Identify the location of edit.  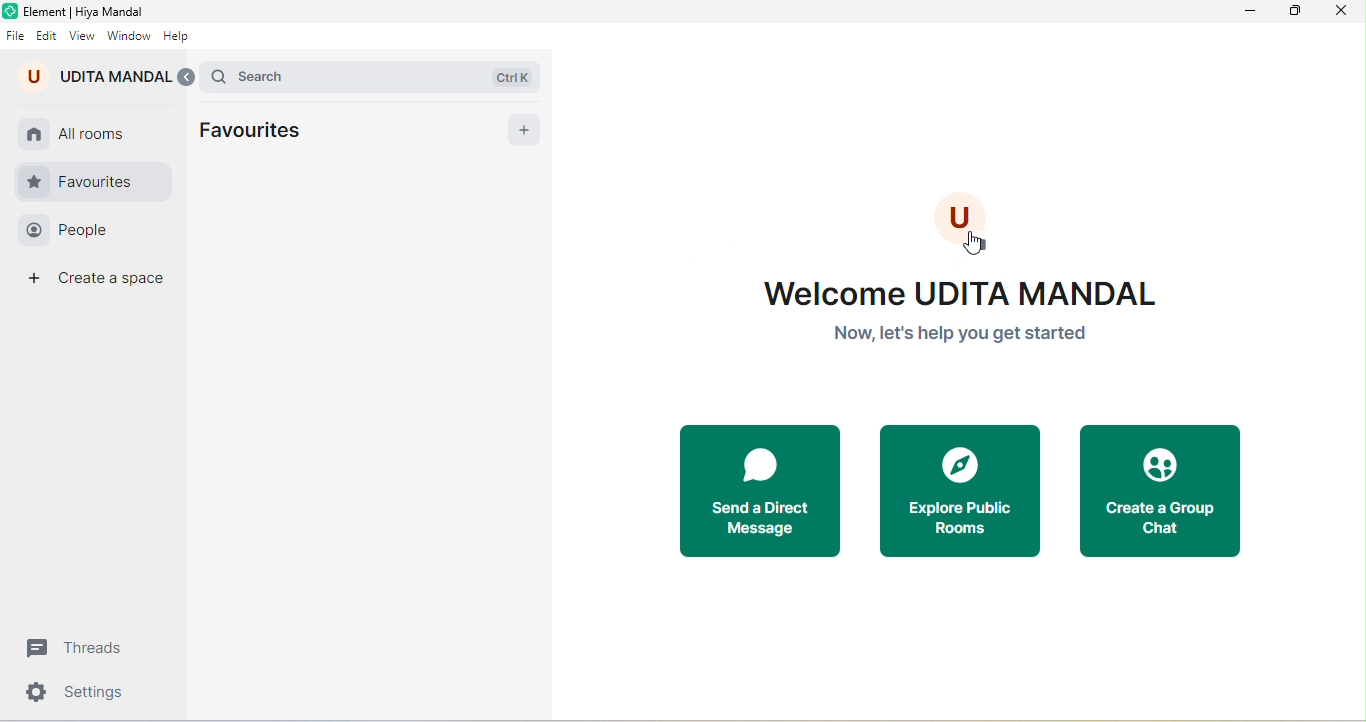
(47, 36).